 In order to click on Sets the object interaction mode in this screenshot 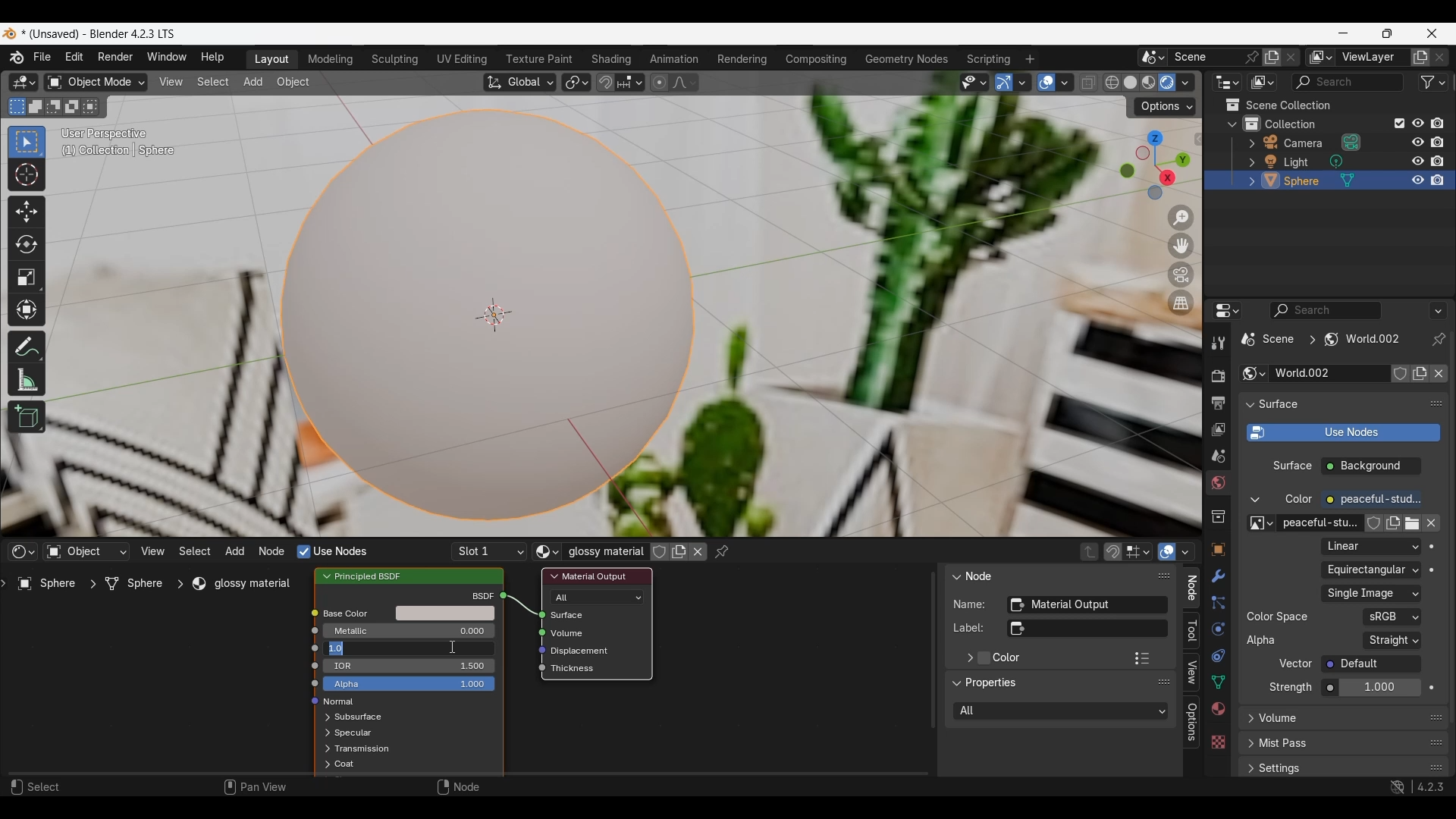, I will do `click(96, 82)`.